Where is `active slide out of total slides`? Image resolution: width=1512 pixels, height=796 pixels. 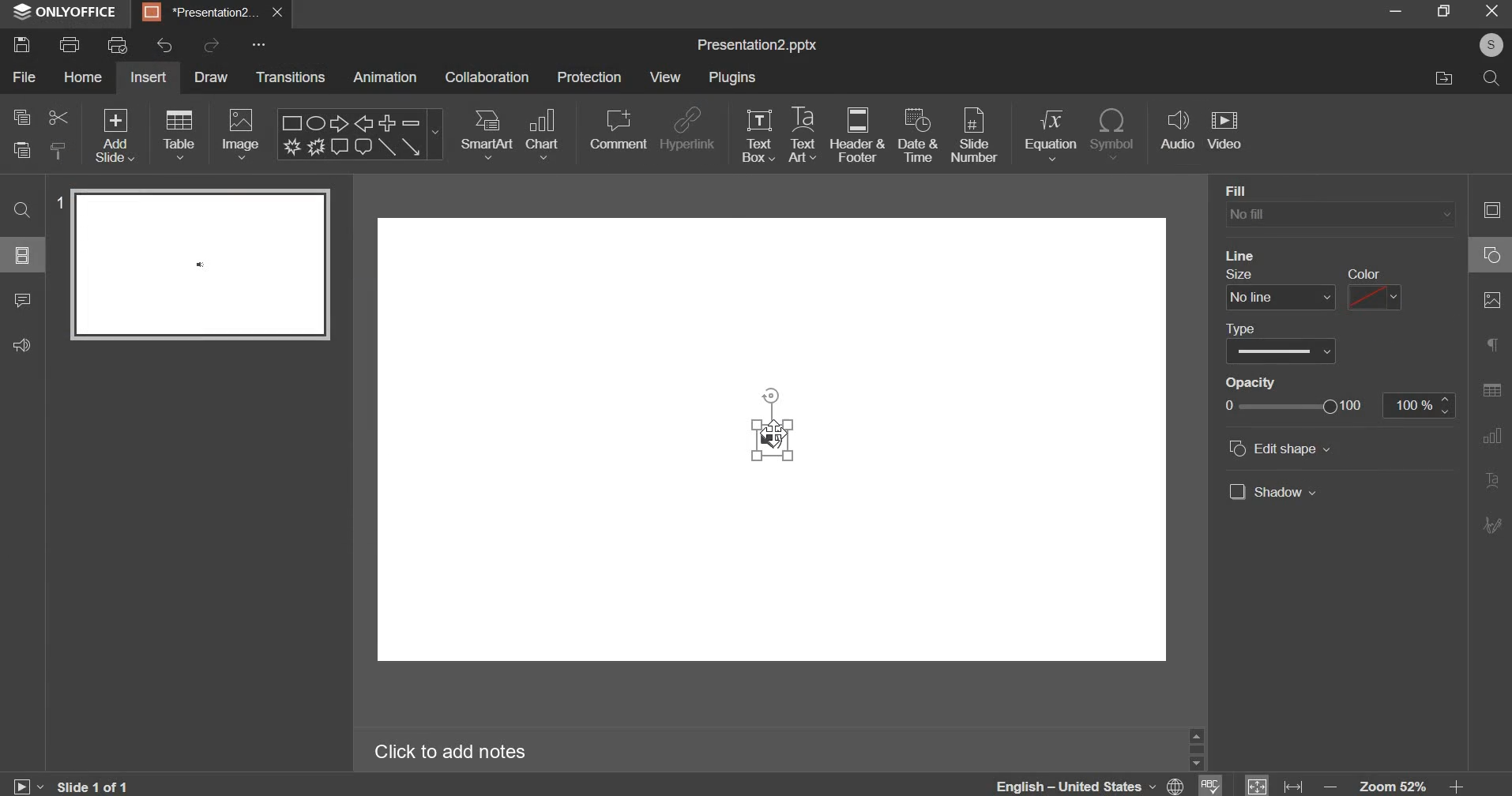 active slide out of total slides is located at coordinates (94, 785).